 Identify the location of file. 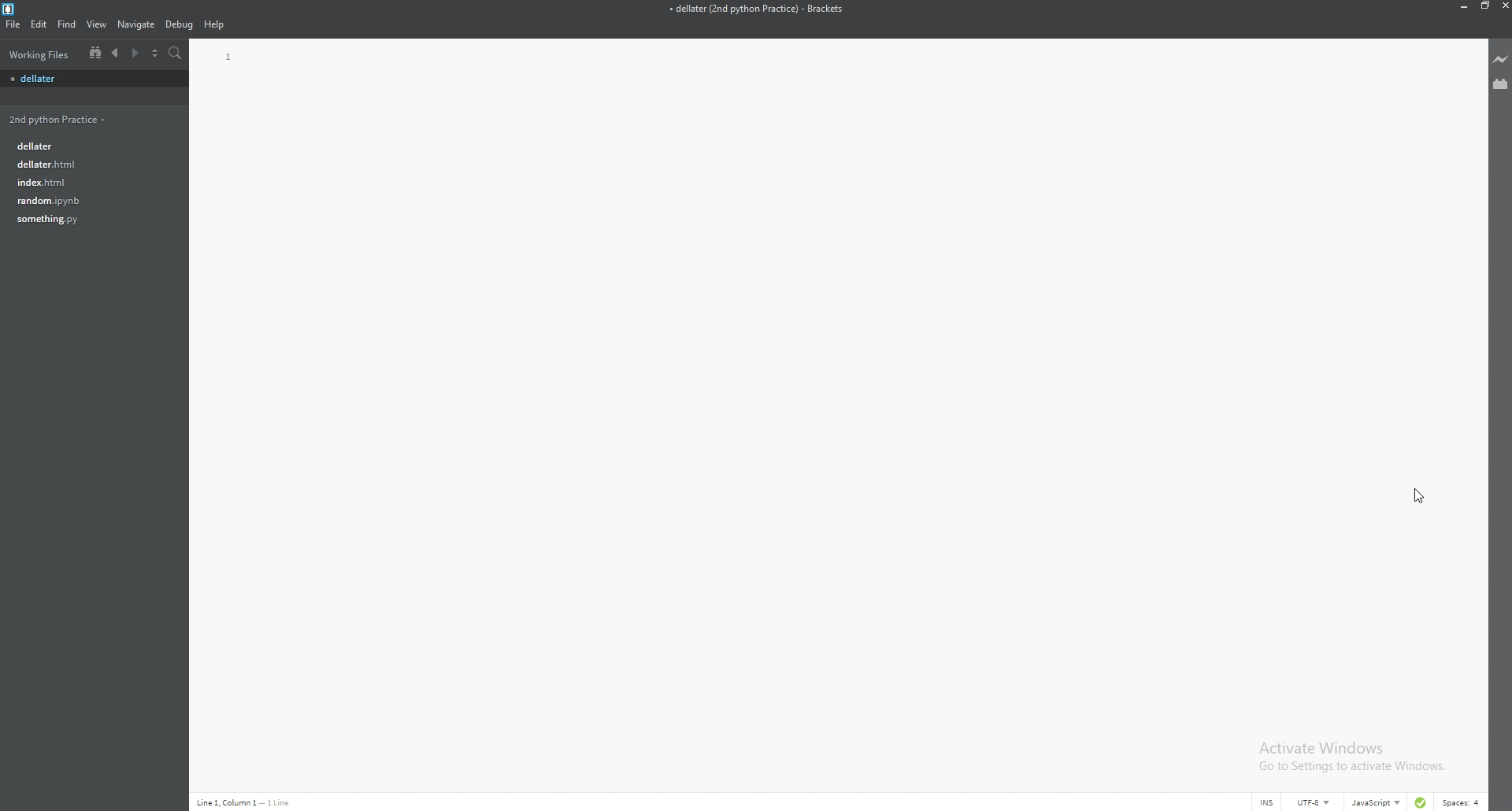
(91, 80).